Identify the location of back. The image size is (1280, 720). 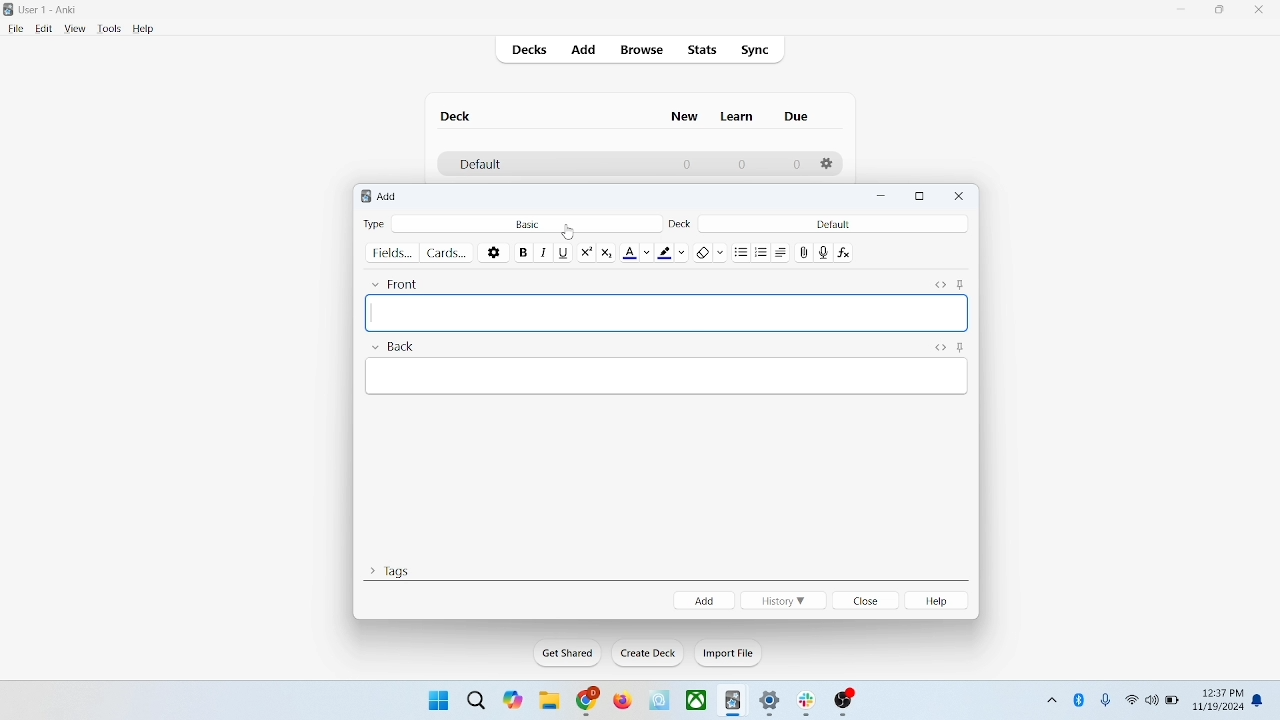
(392, 349).